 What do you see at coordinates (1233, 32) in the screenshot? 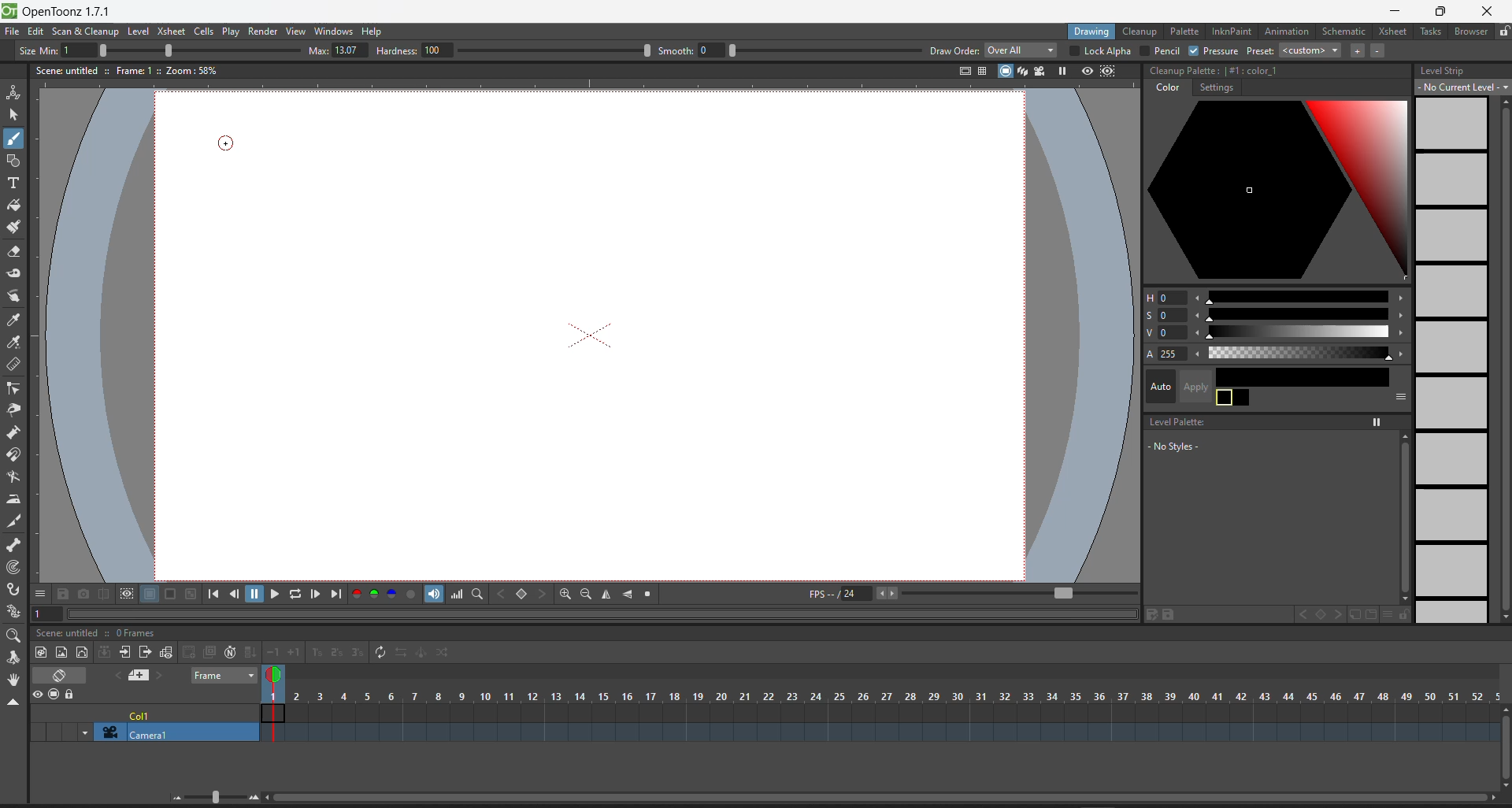
I see `inknpaint` at bounding box center [1233, 32].